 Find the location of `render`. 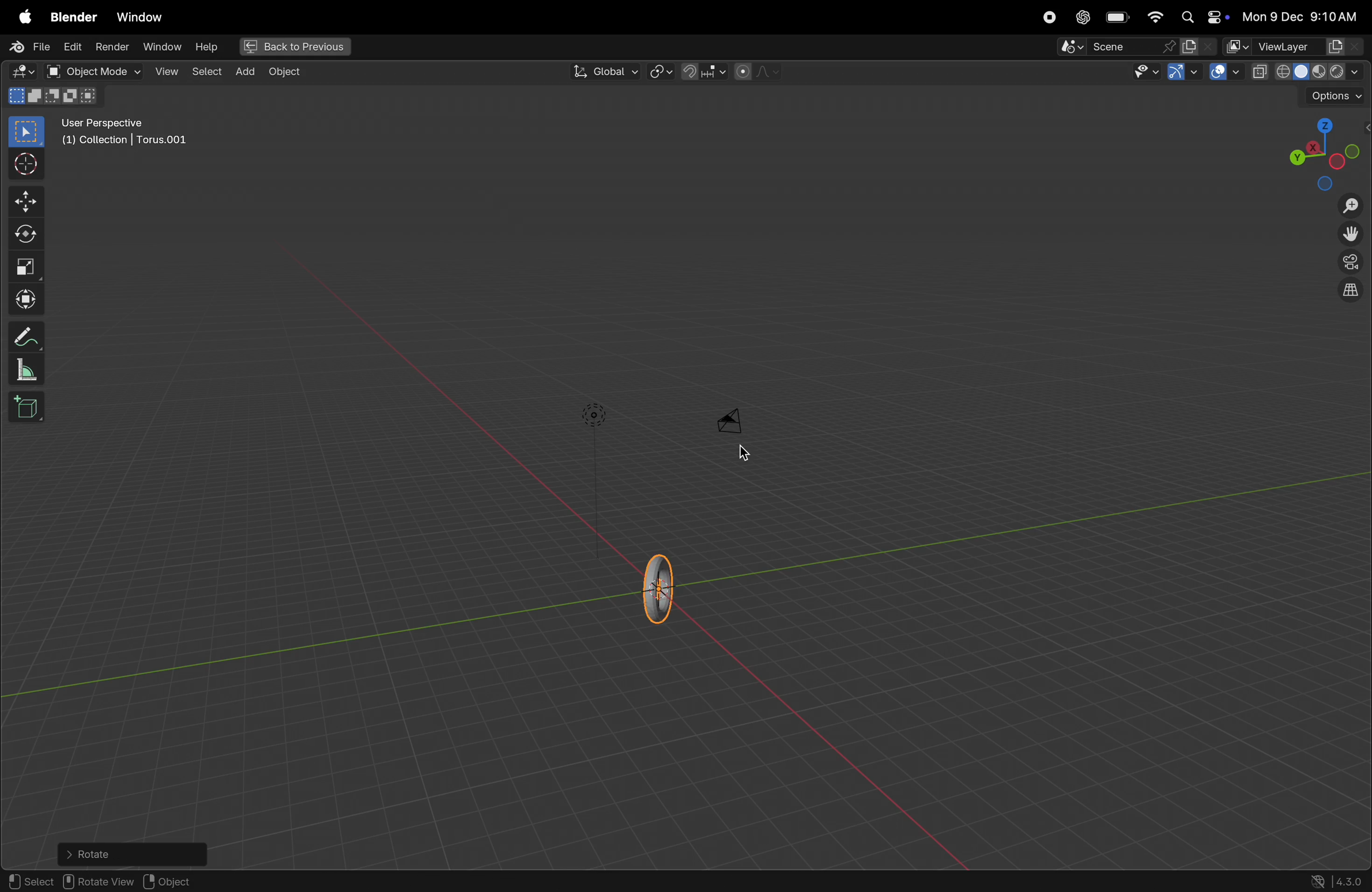

render is located at coordinates (111, 47).